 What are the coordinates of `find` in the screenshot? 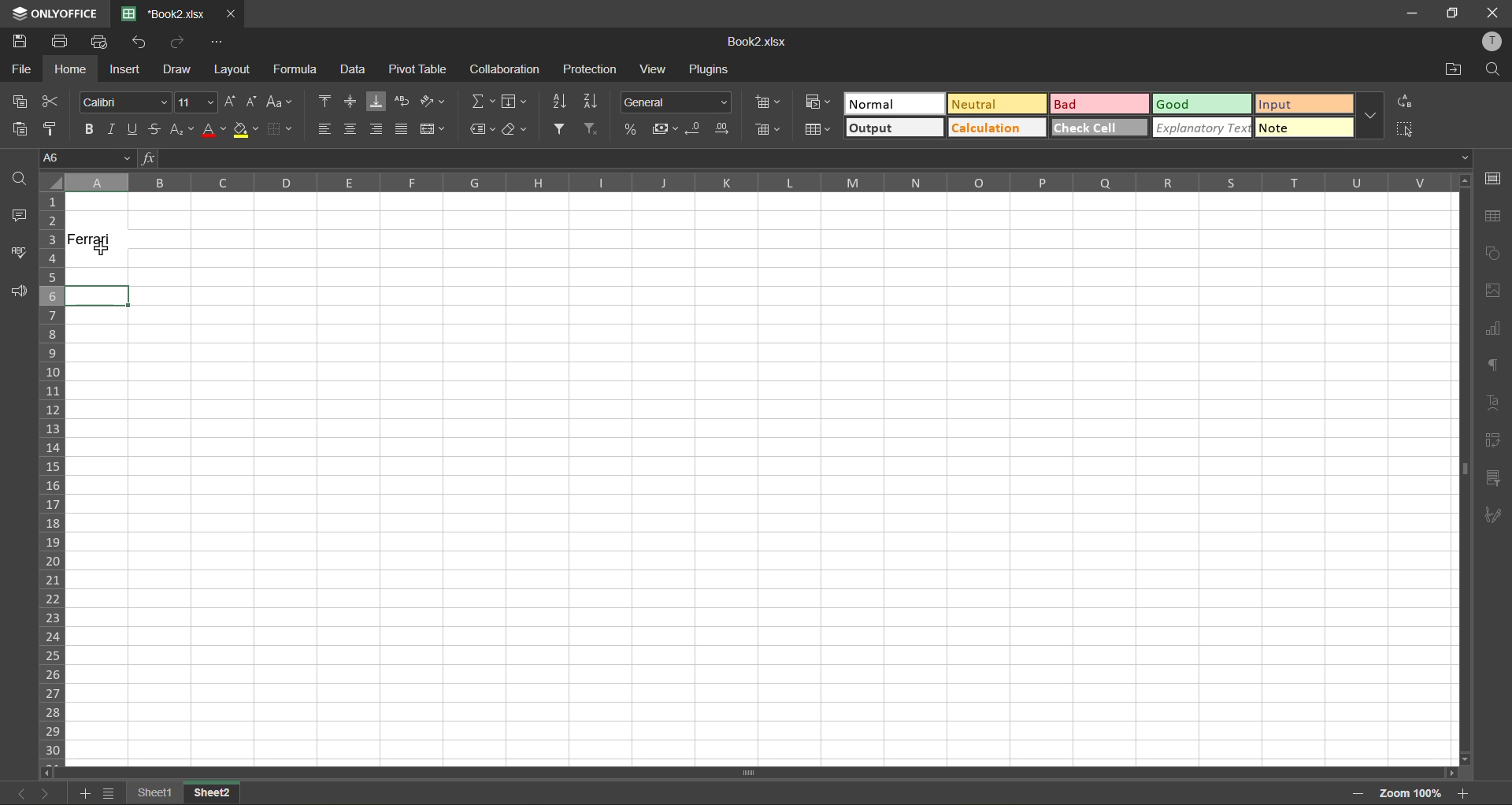 It's located at (21, 180).